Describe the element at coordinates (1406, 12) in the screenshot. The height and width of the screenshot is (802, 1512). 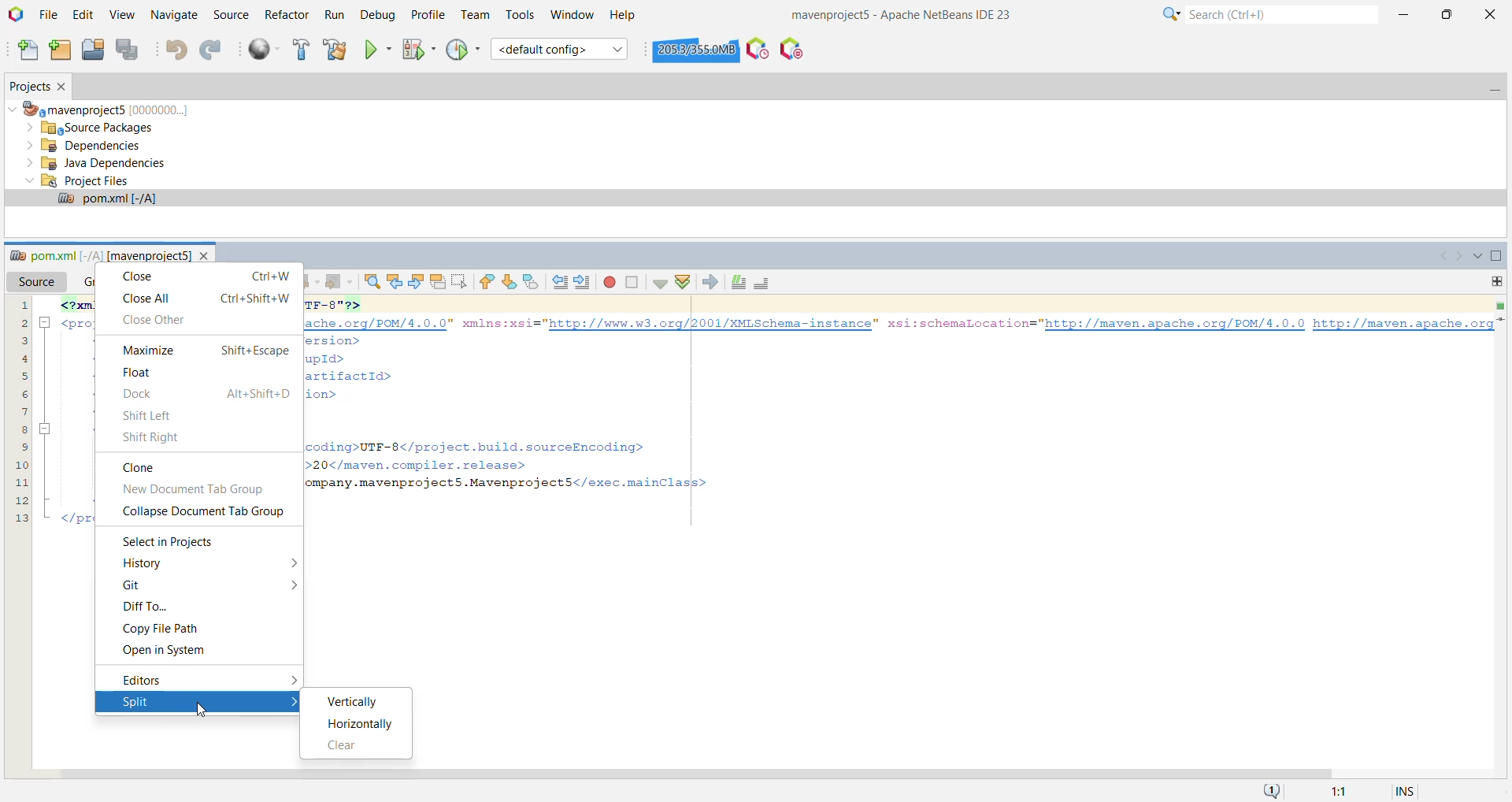
I see `Minimize` at that location.